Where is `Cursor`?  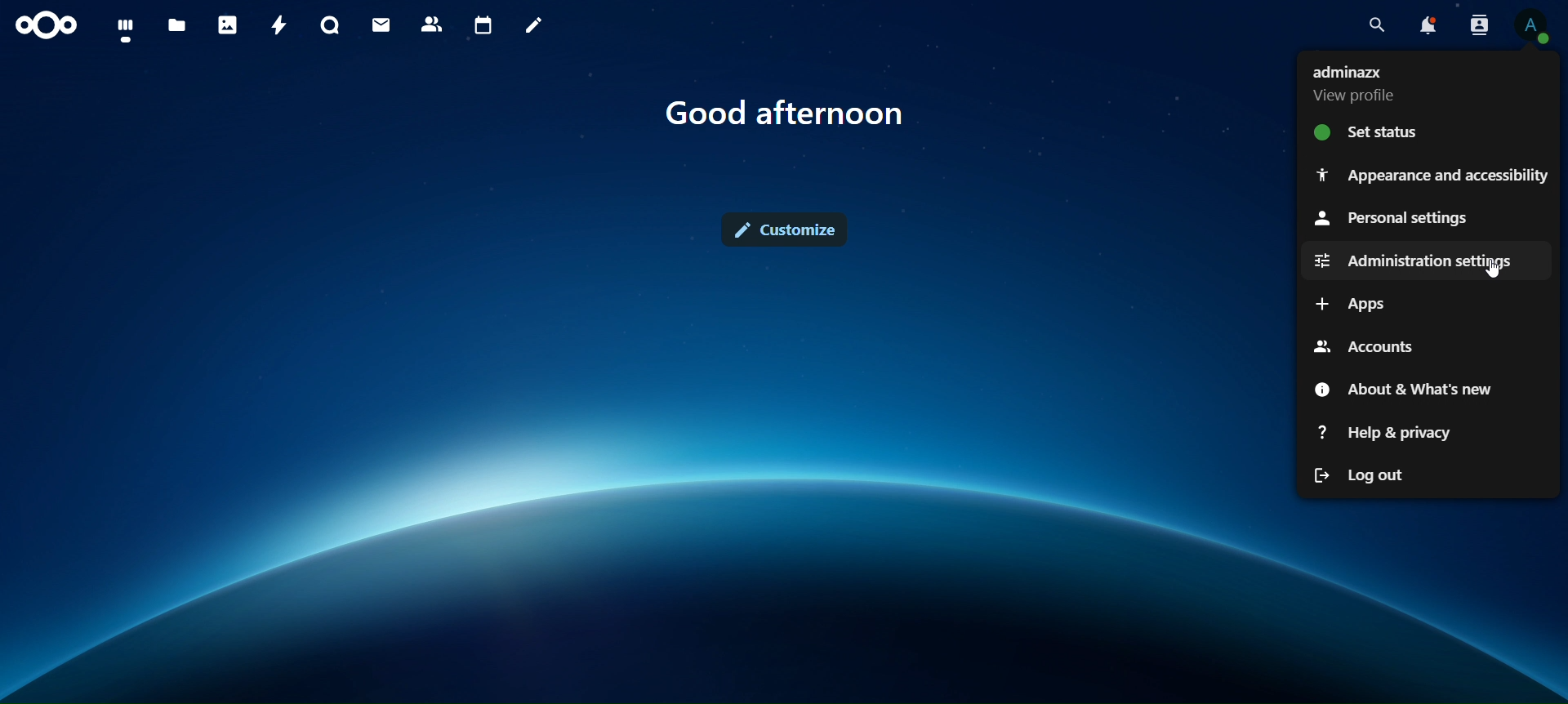 Cursor is located at coordinates (1493, 269).